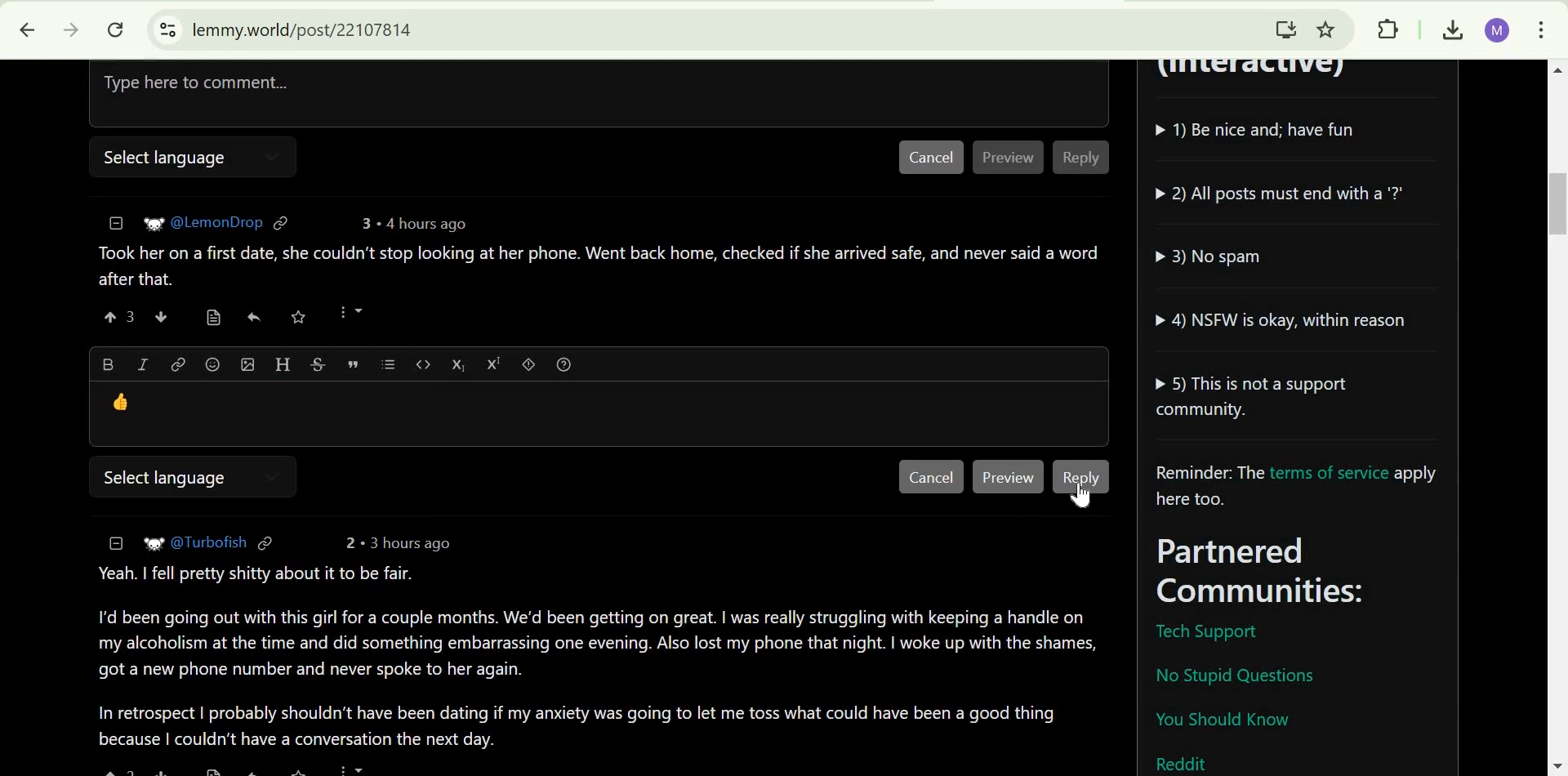 Image resolution: width=1568 pixels, height=776 pixels. I want to click on Preview, so click(1009, 158).